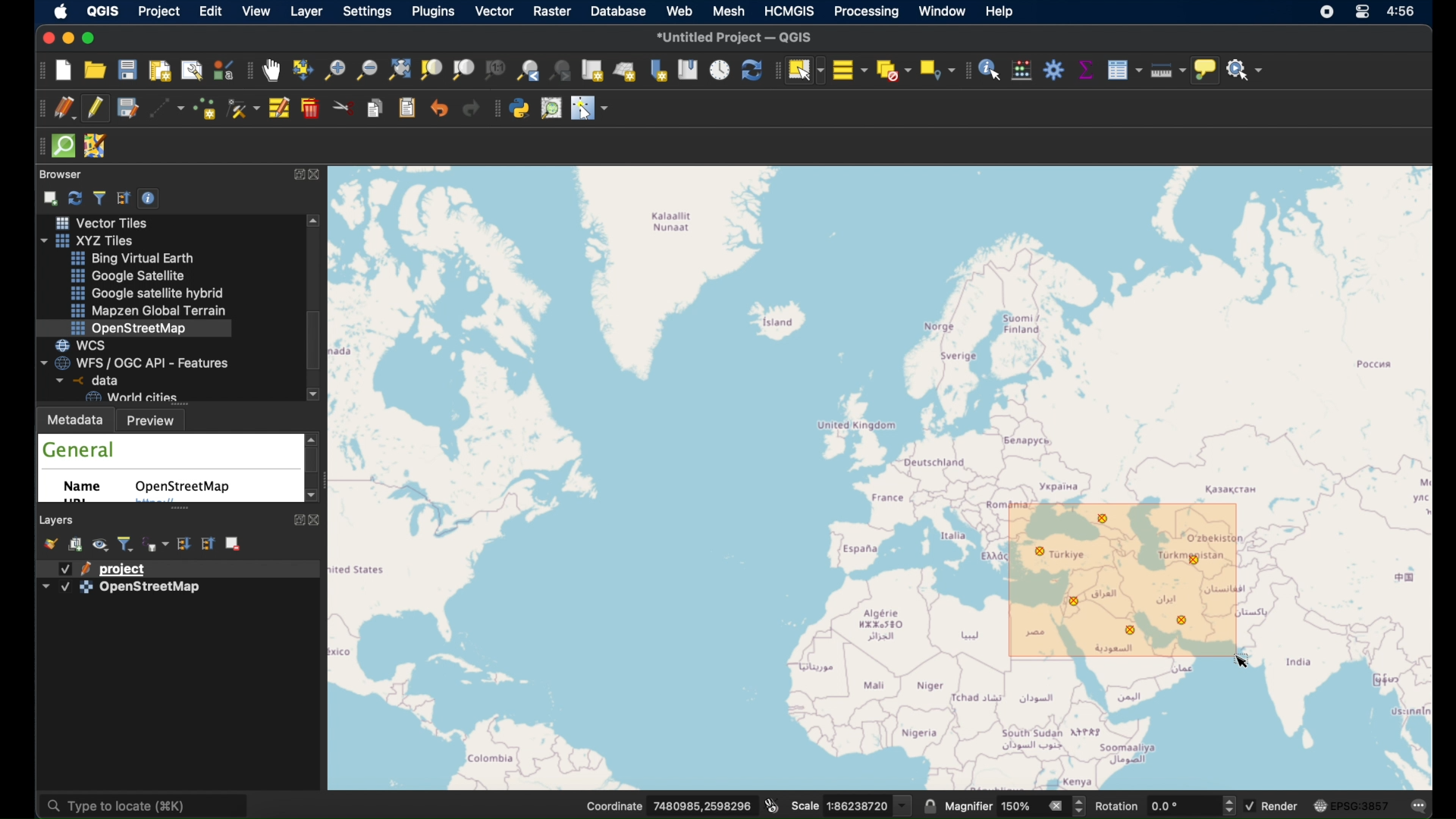  Describe the element at coordinates (1125, 70) in the screenshot. I see `show attribute table` at that location.